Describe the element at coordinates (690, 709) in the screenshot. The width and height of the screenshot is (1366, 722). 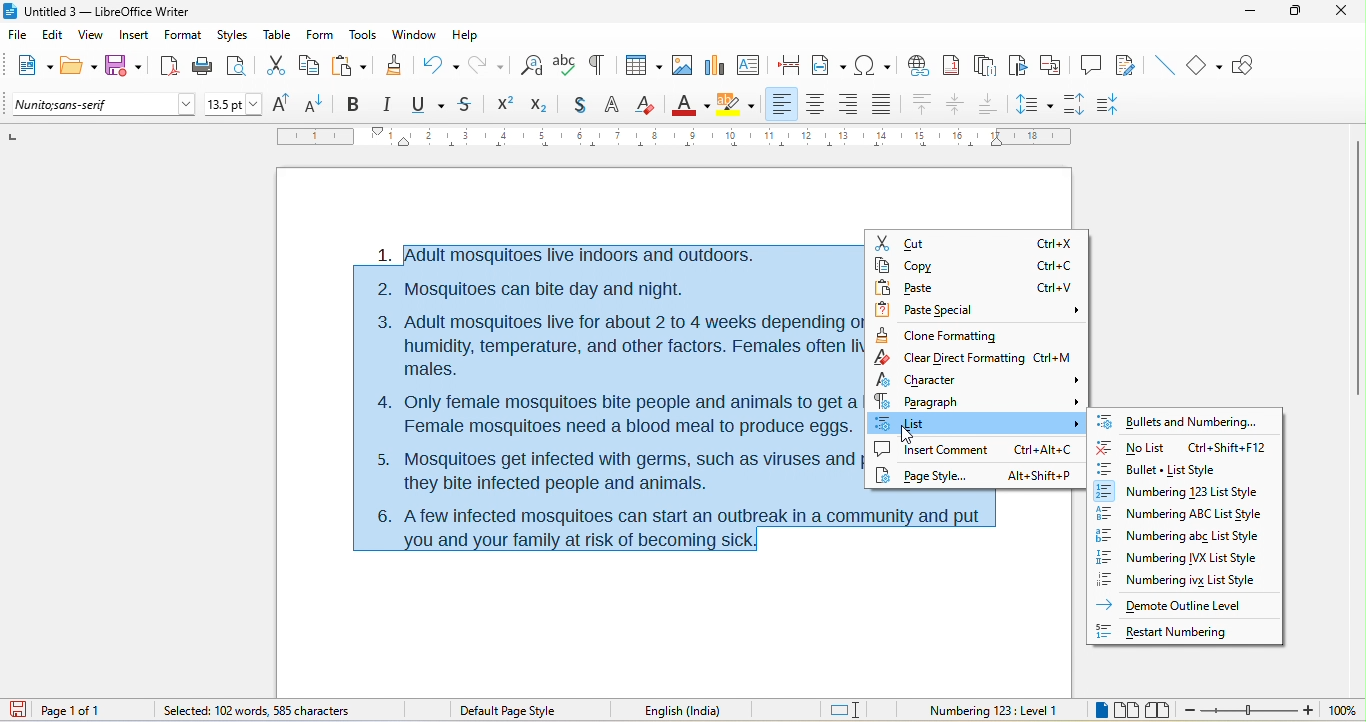
I see `English (India)` at that location.